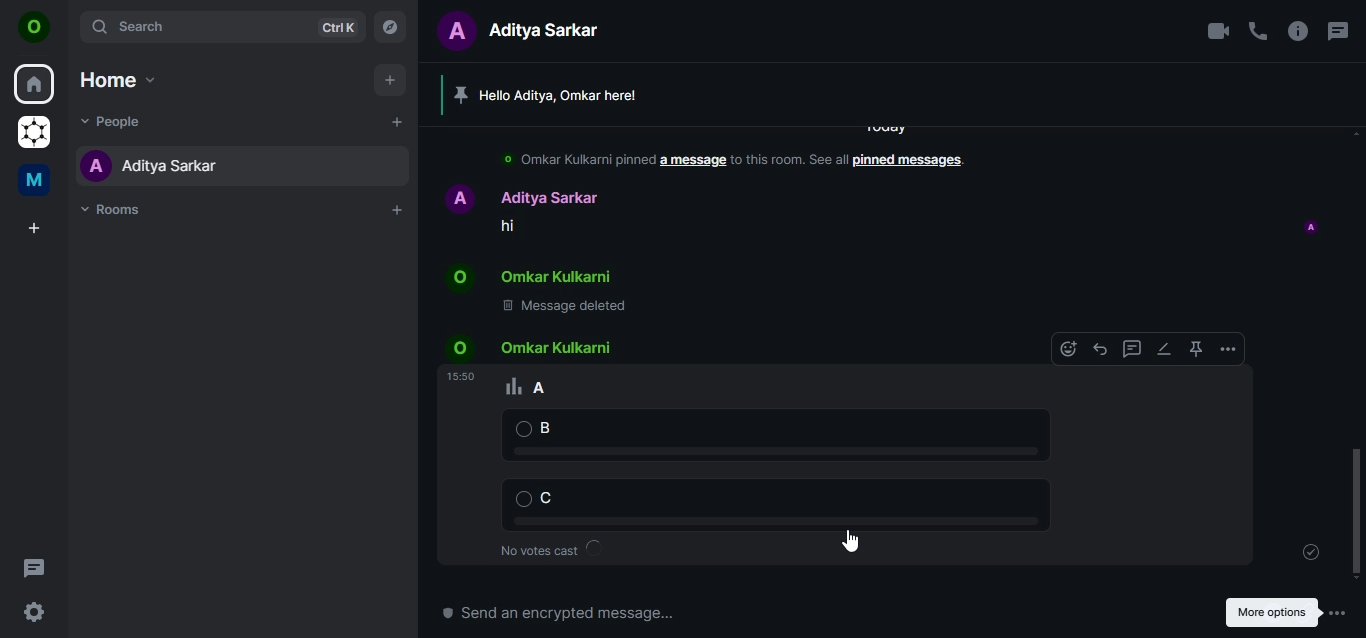 The image size is (1366, 638). I want to click on graoheneos, so click(34, 134).